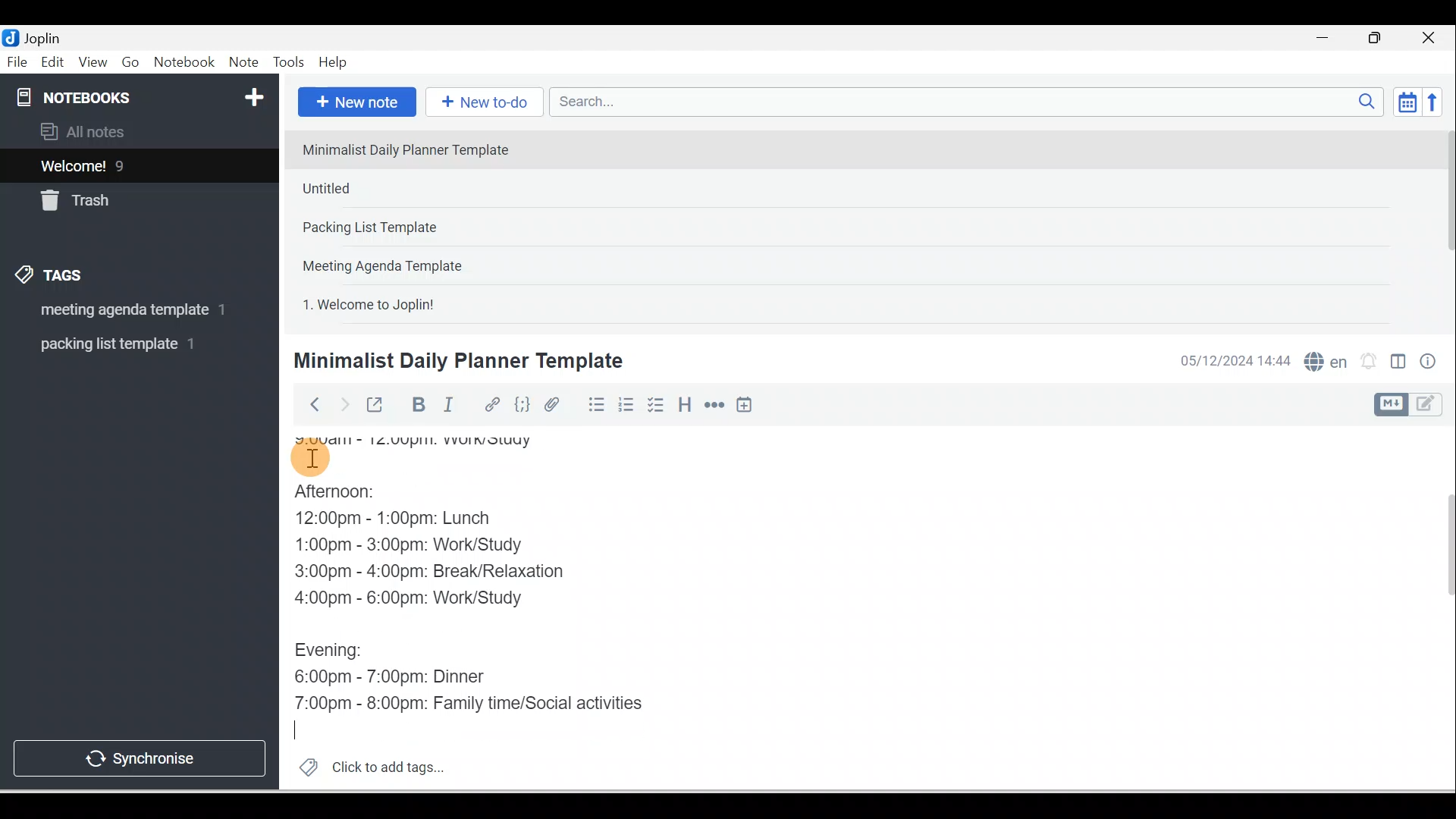 The height and width of the screenshot is (819, 1456). Describe the element at coordinates (424, 303) in the screenshot. I see `Note 5` at that location.